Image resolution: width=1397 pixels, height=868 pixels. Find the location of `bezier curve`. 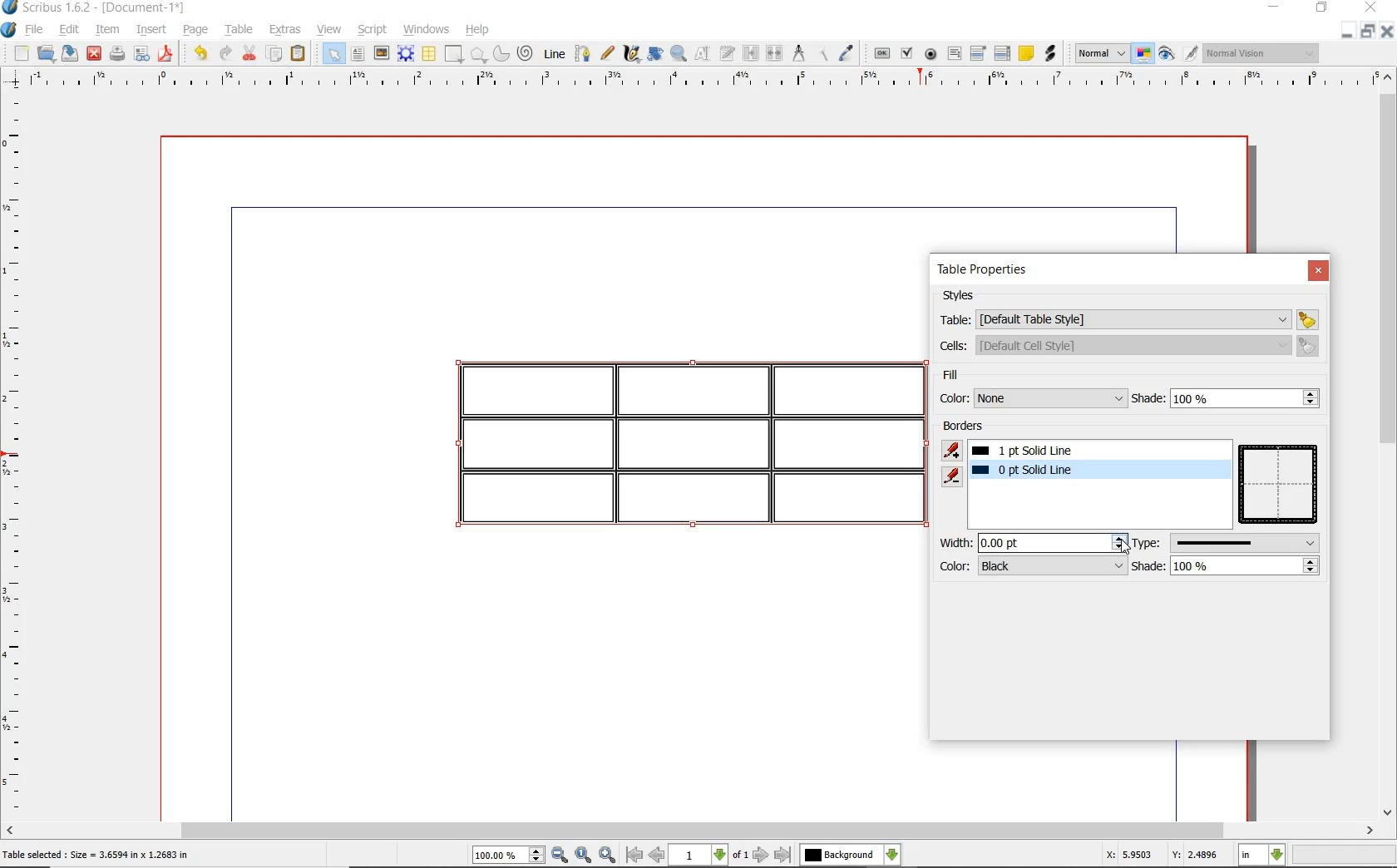

bezier curve is located at coordinates (583, 56).